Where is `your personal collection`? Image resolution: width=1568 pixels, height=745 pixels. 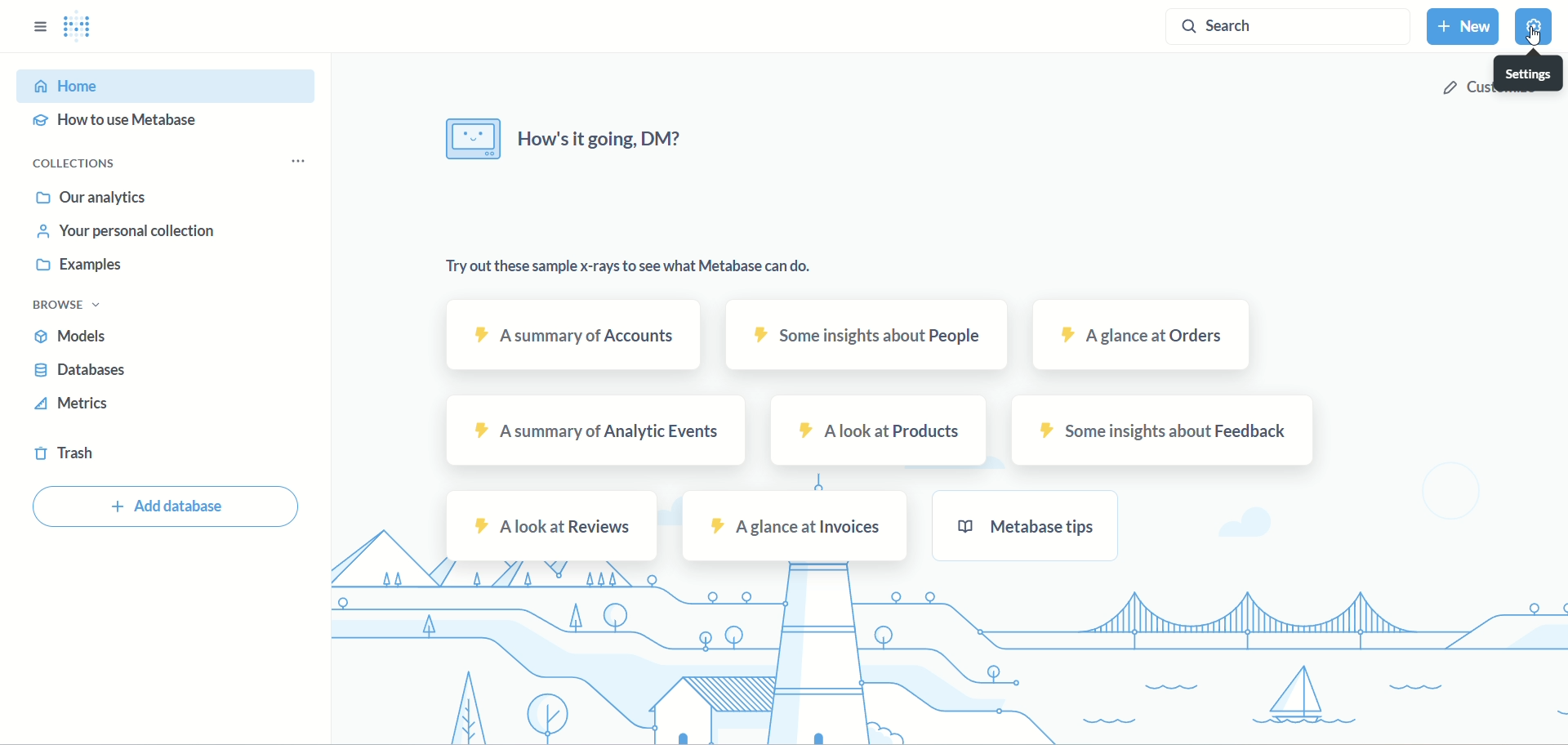 your personal collection is located at coordinates (130, 232).